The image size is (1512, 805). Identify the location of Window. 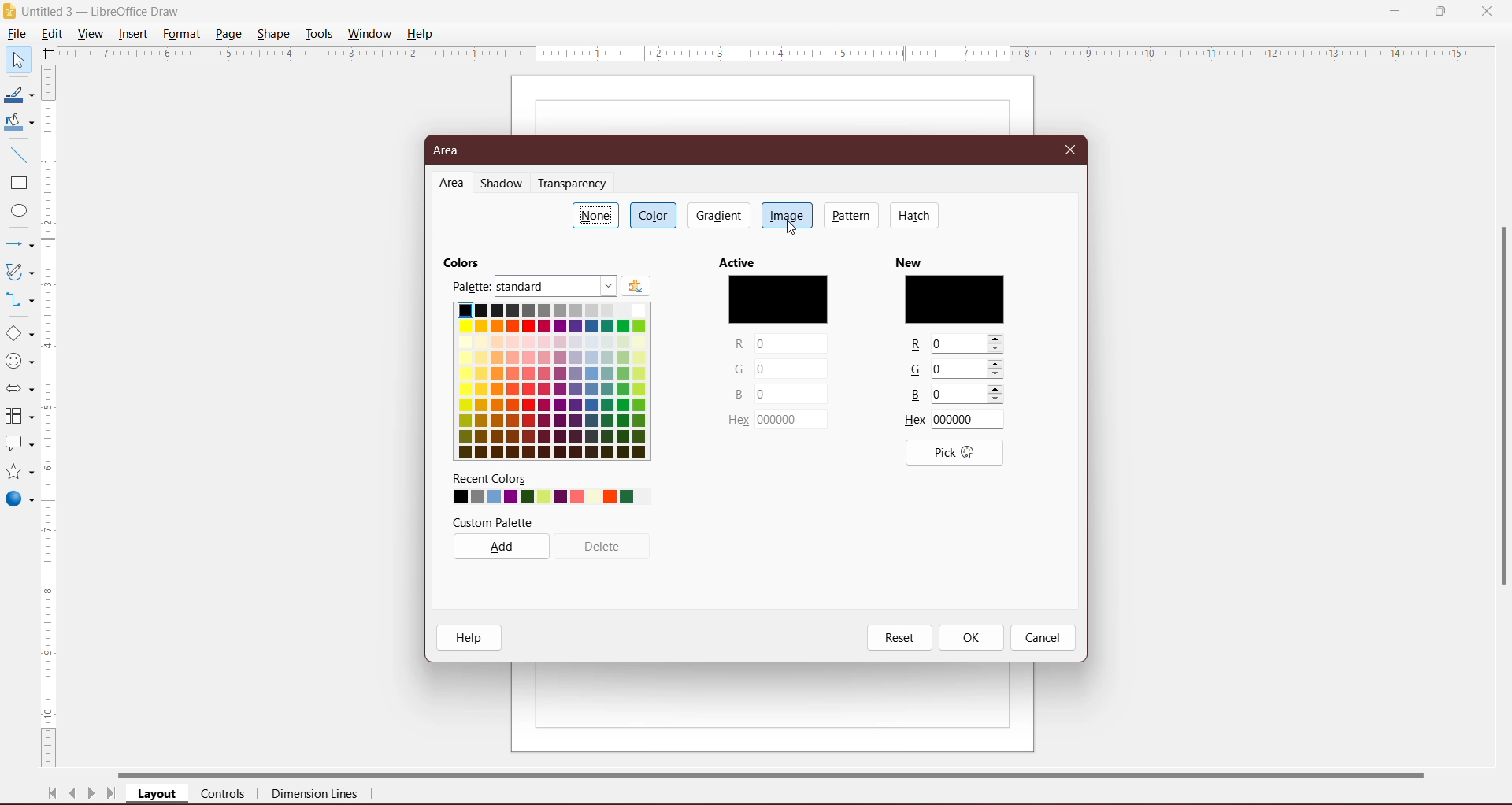
(369, 34).